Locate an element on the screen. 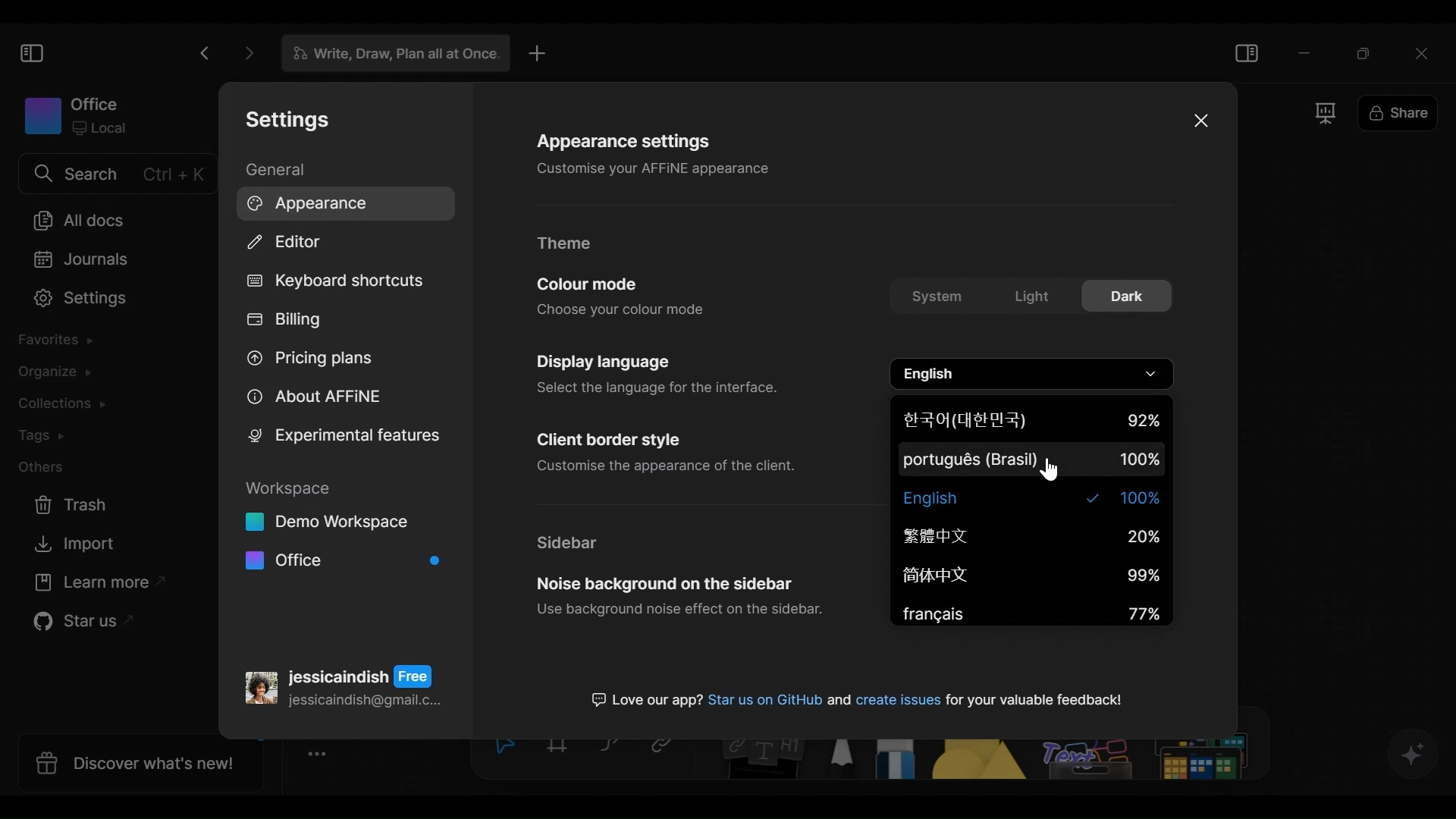 The image size is (1456, 819). Favorites is located at coordinates (61, 343).